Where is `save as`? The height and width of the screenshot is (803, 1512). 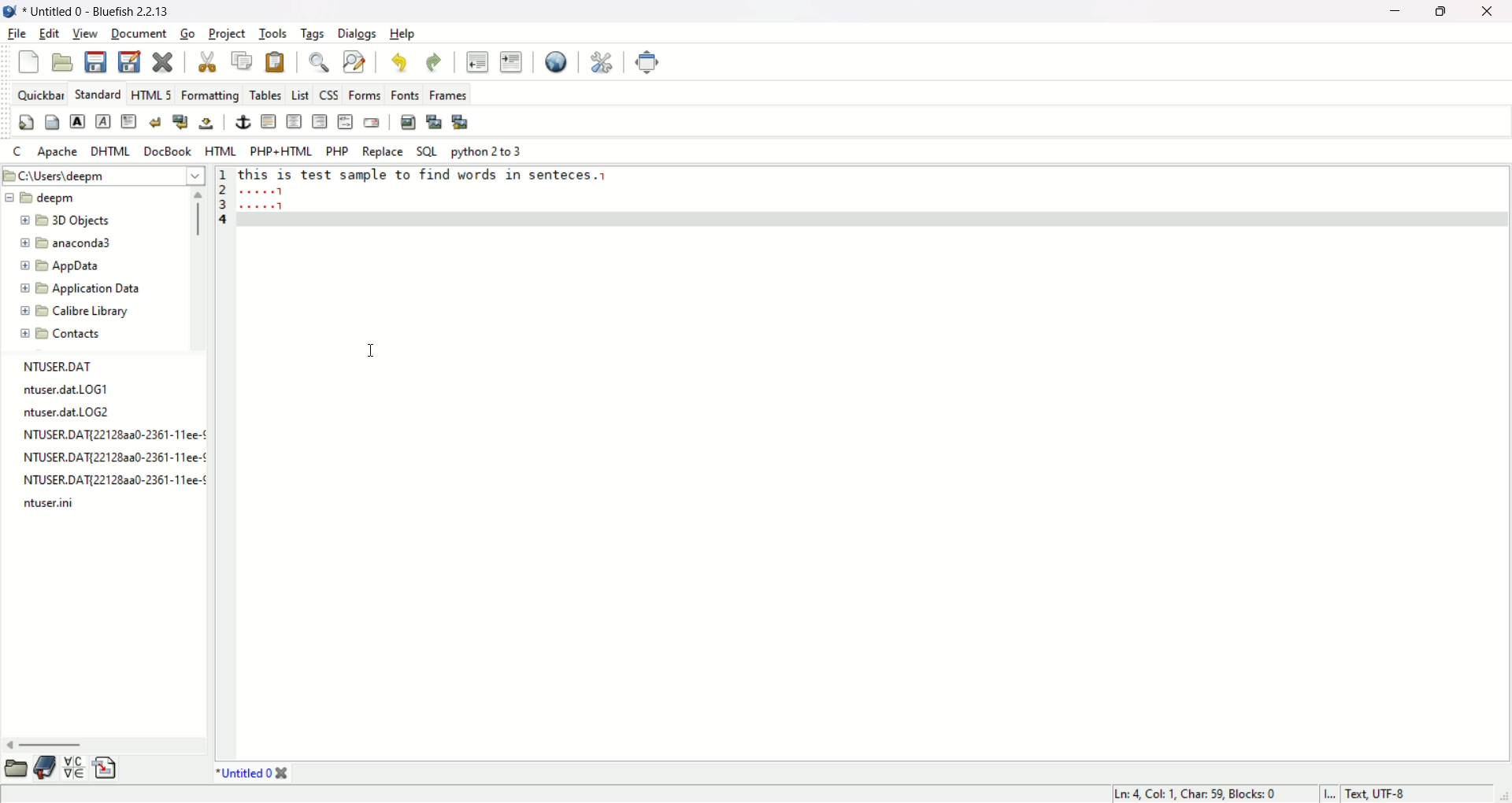 save as is located at coordinates (129, 60).